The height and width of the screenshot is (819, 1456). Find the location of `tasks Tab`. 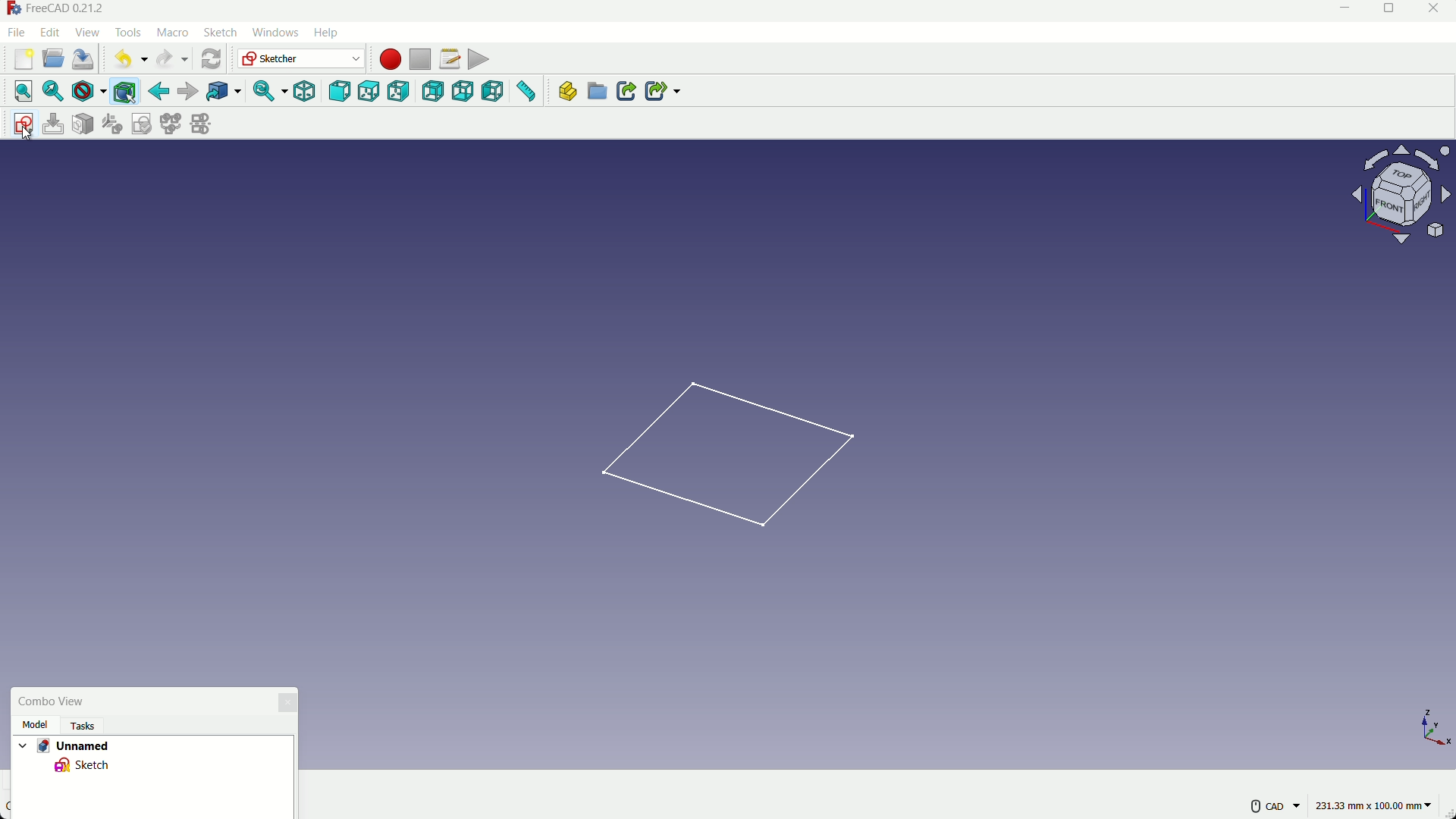

tasks Tab is located at coordinates (93, 725).